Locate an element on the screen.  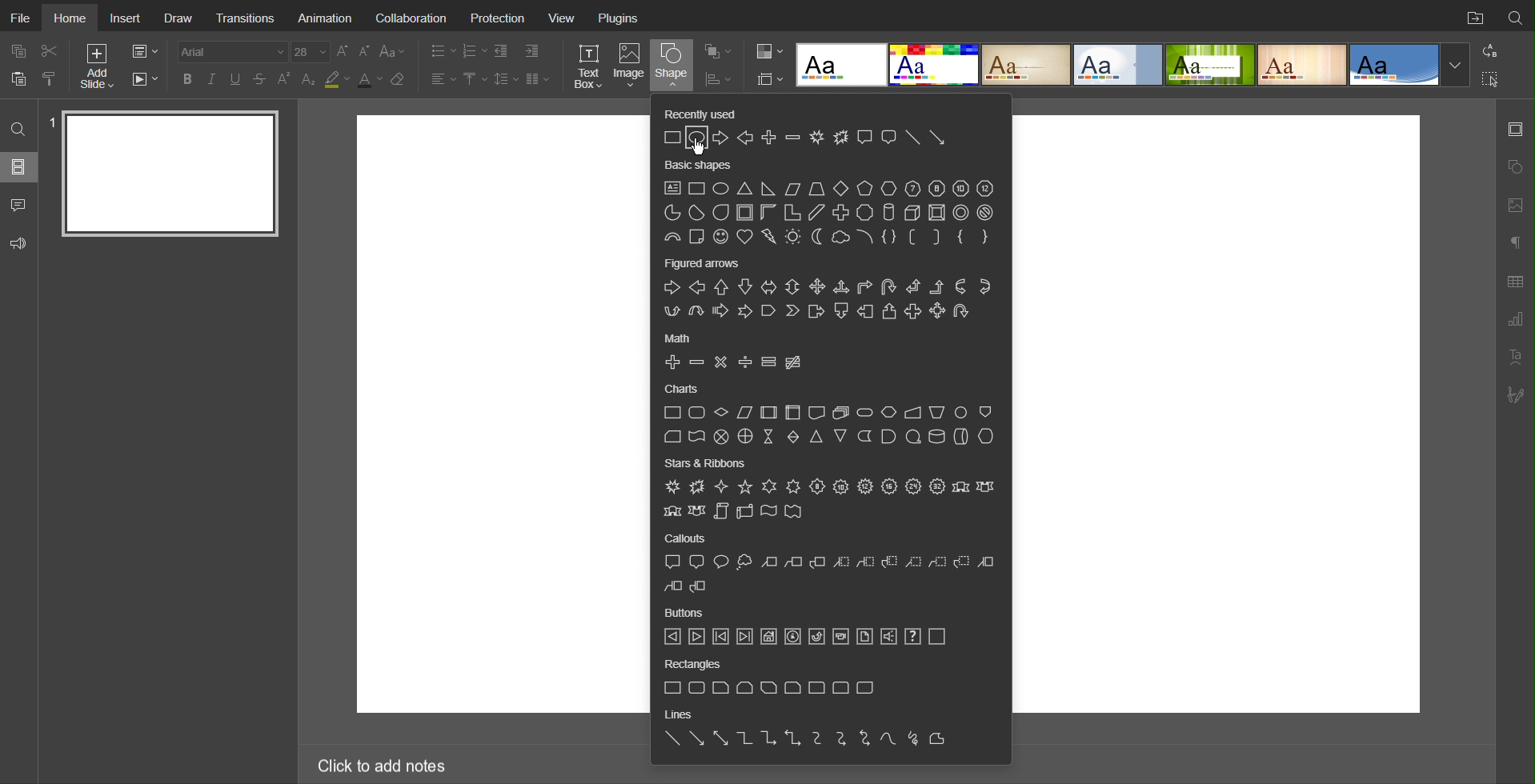
Open File Location is located at coordinates (1472, 16).